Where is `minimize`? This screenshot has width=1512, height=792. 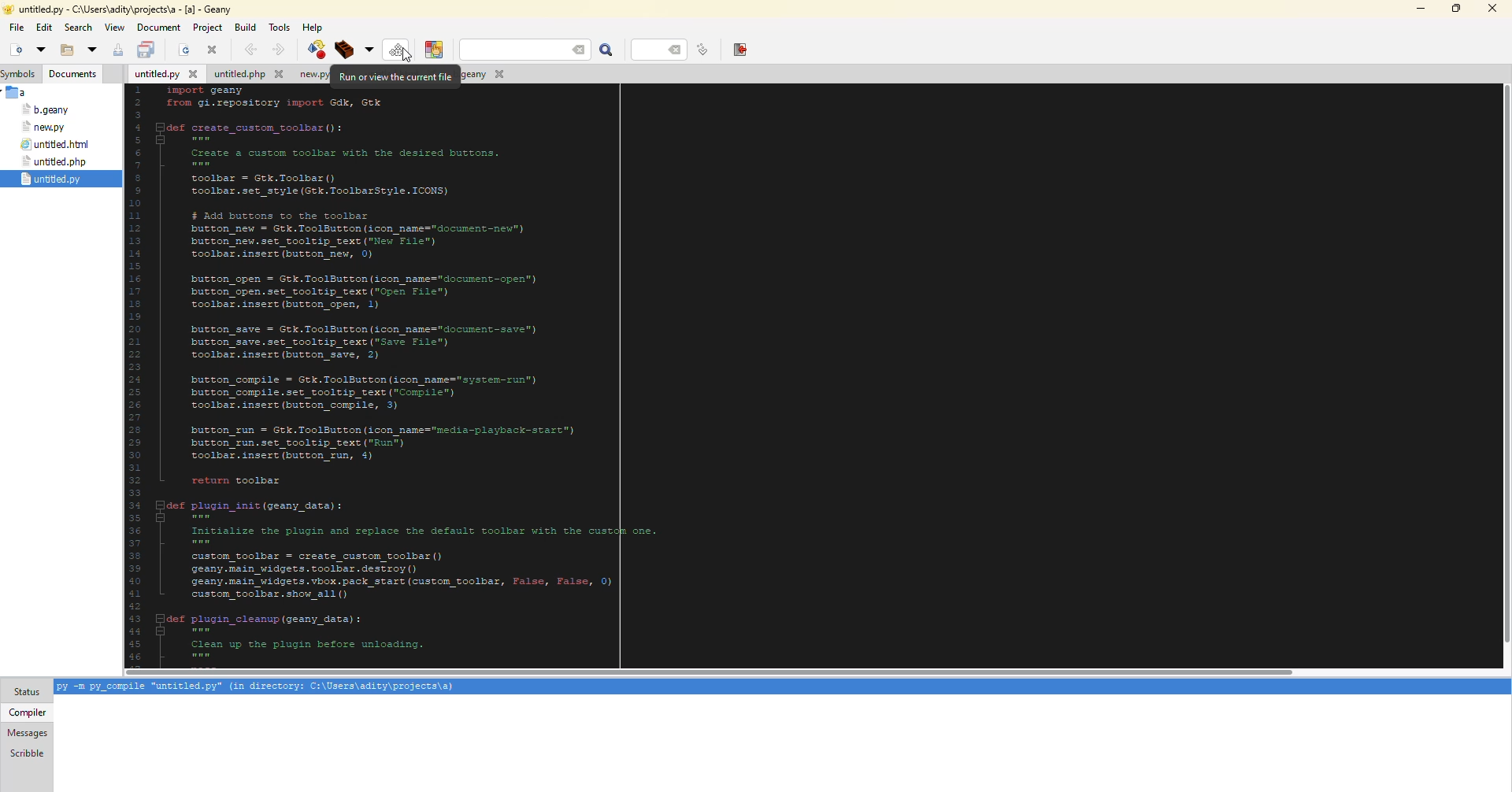
minimize is located at coordinates (1421, 9).